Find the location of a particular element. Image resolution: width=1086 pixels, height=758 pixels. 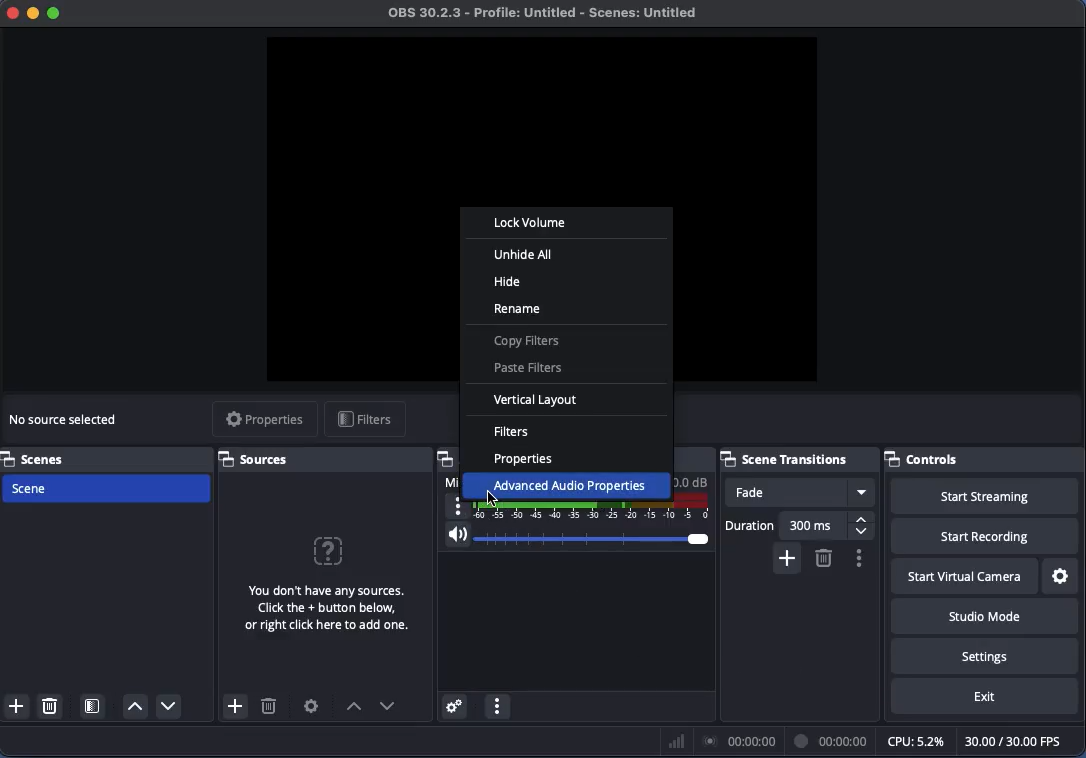

Open scene filters is located at coordinates (94, 708).